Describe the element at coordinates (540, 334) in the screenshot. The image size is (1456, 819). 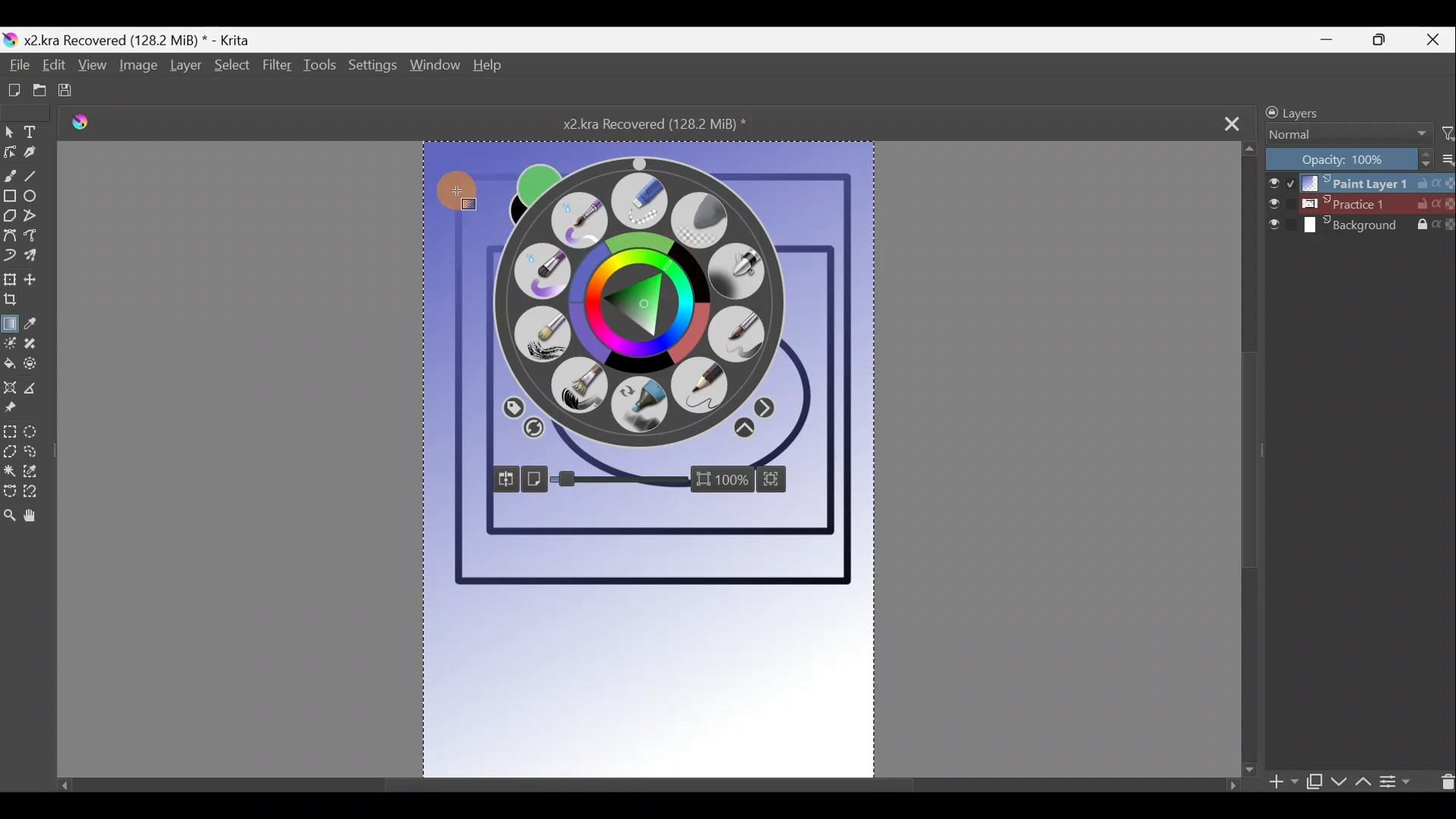
I see `Dry brushing` at that location.